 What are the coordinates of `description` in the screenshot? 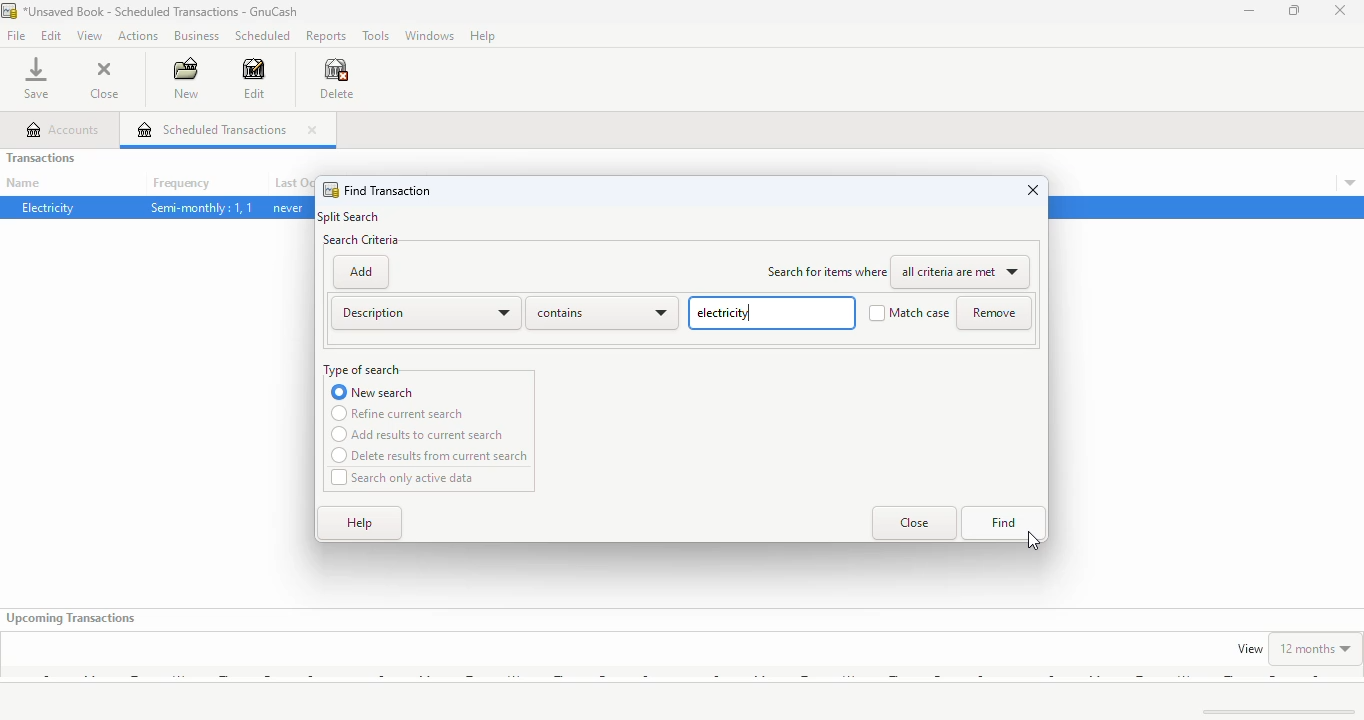 It's located at (425, 313).